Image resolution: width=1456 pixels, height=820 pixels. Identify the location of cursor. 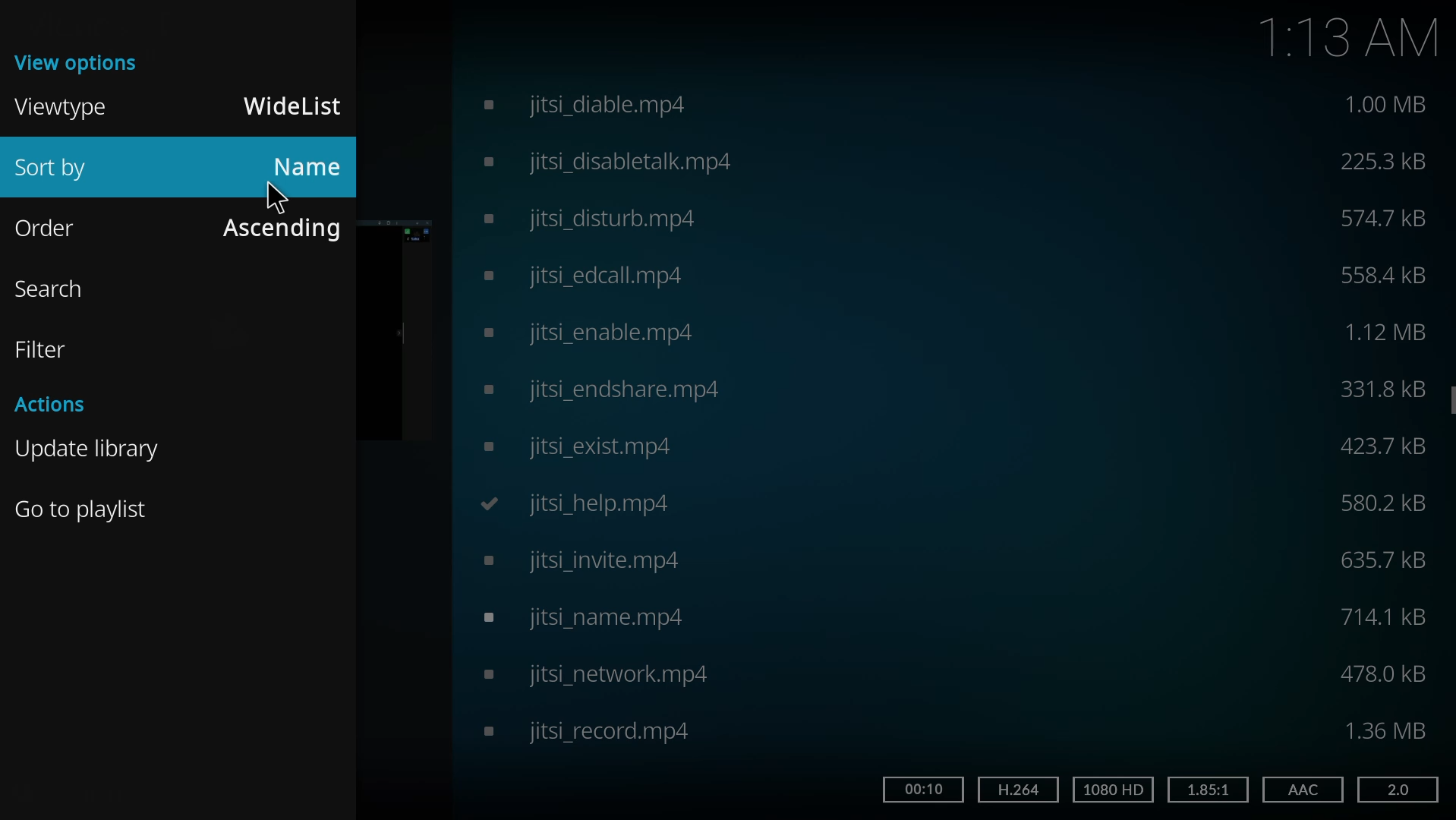
(276, 196).